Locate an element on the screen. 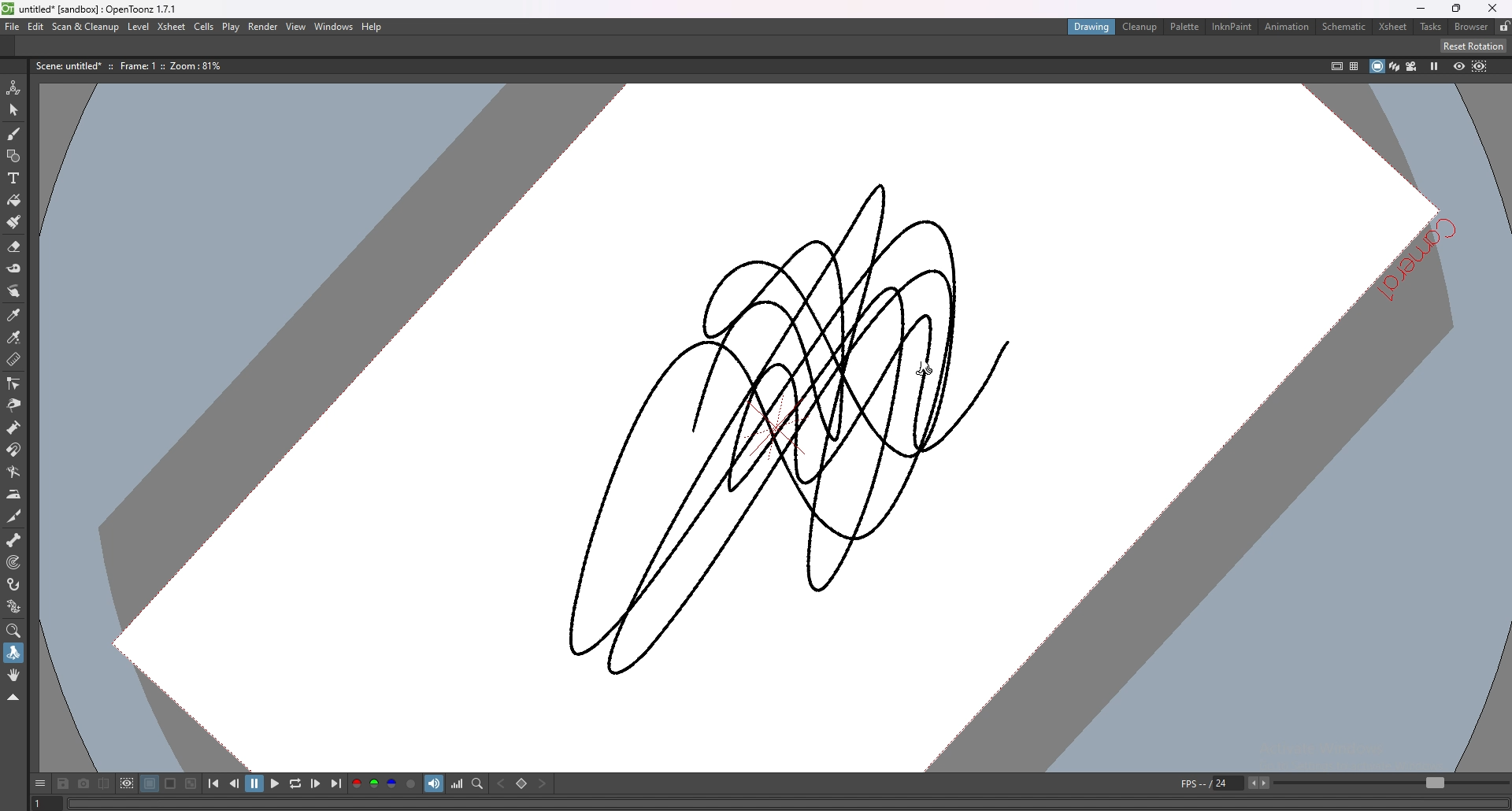  histogram is located at coordinates (456, 785).